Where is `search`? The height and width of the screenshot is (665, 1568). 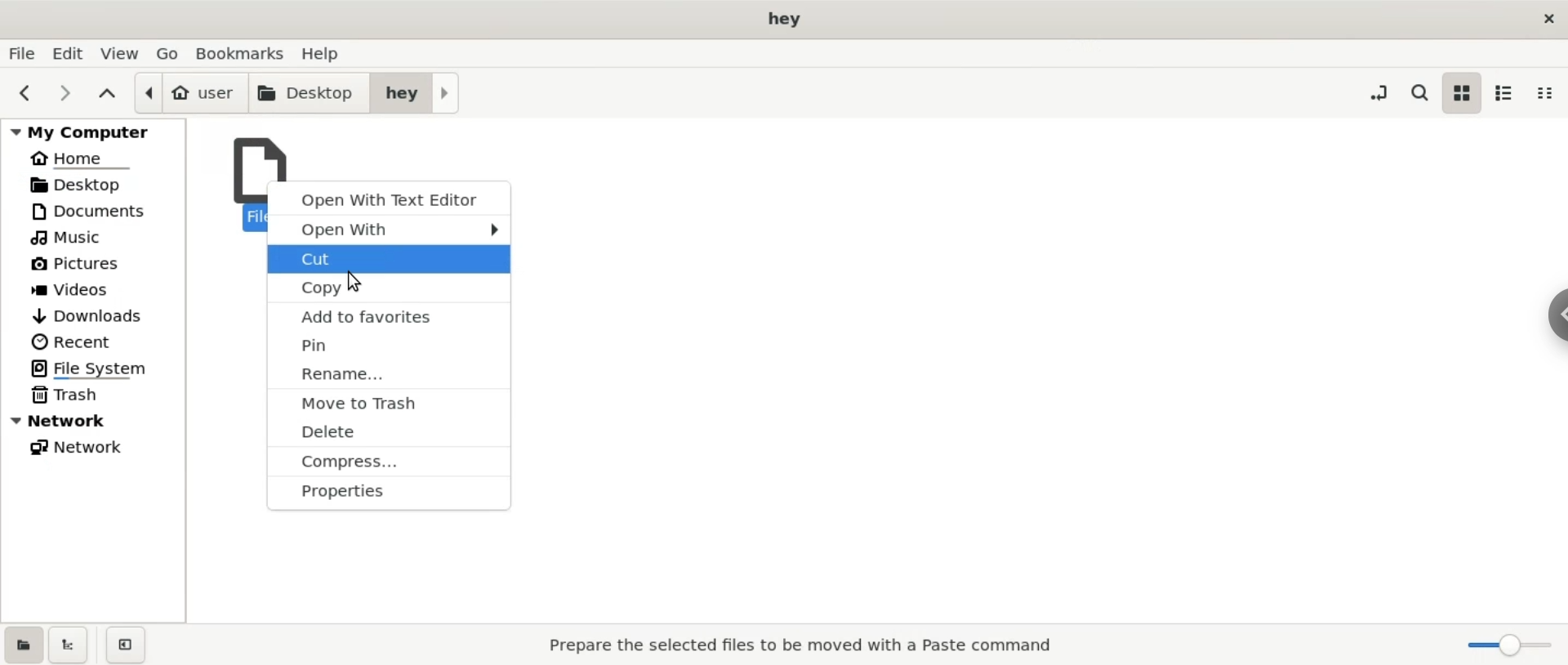
search is located at coordinates (1418, 92).